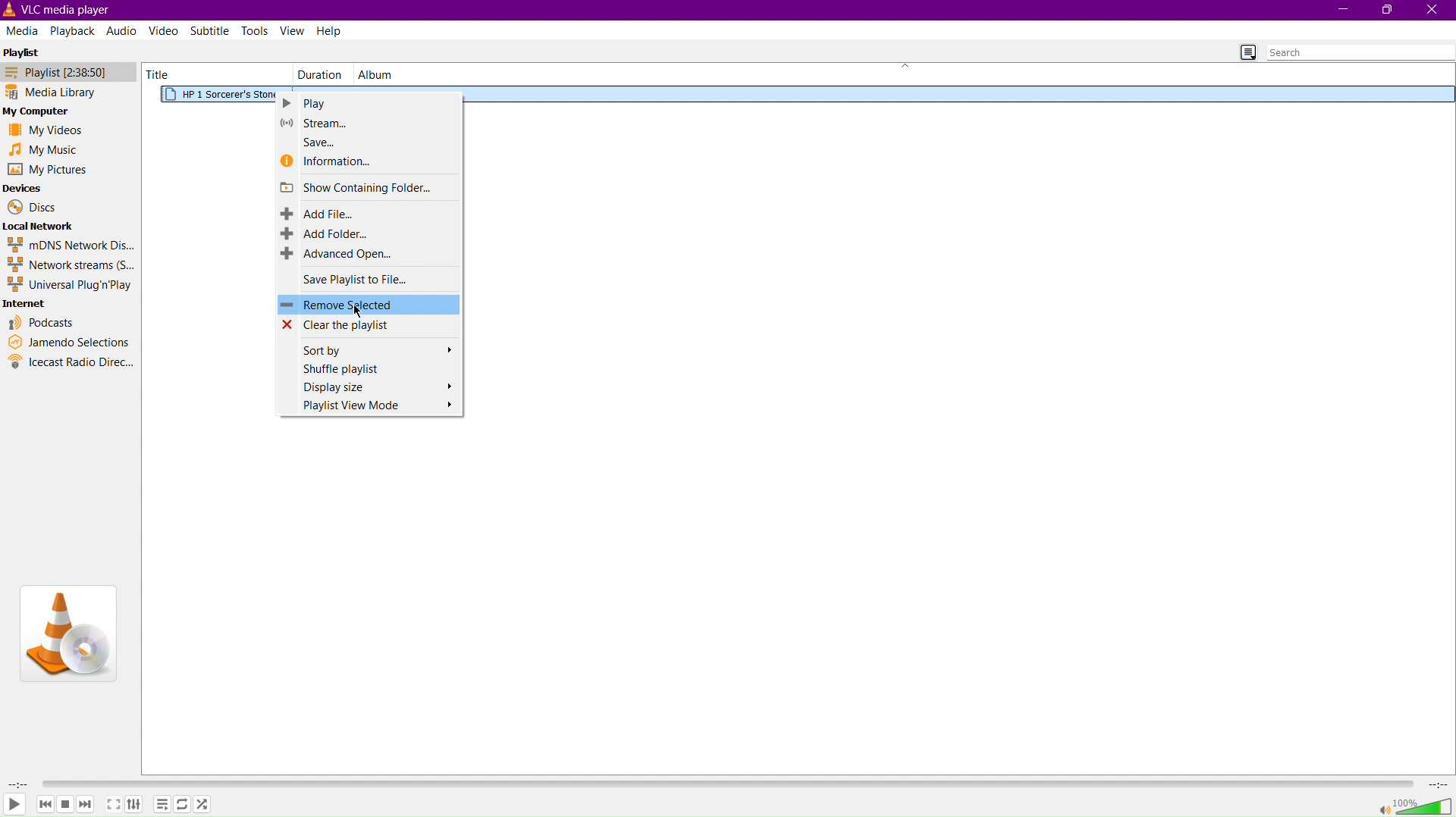 The image size is (1456, 817). What do you see at coordinates (368, 212) in the screenshot?
I see `AddFile...` at bounding box center [368, 212].